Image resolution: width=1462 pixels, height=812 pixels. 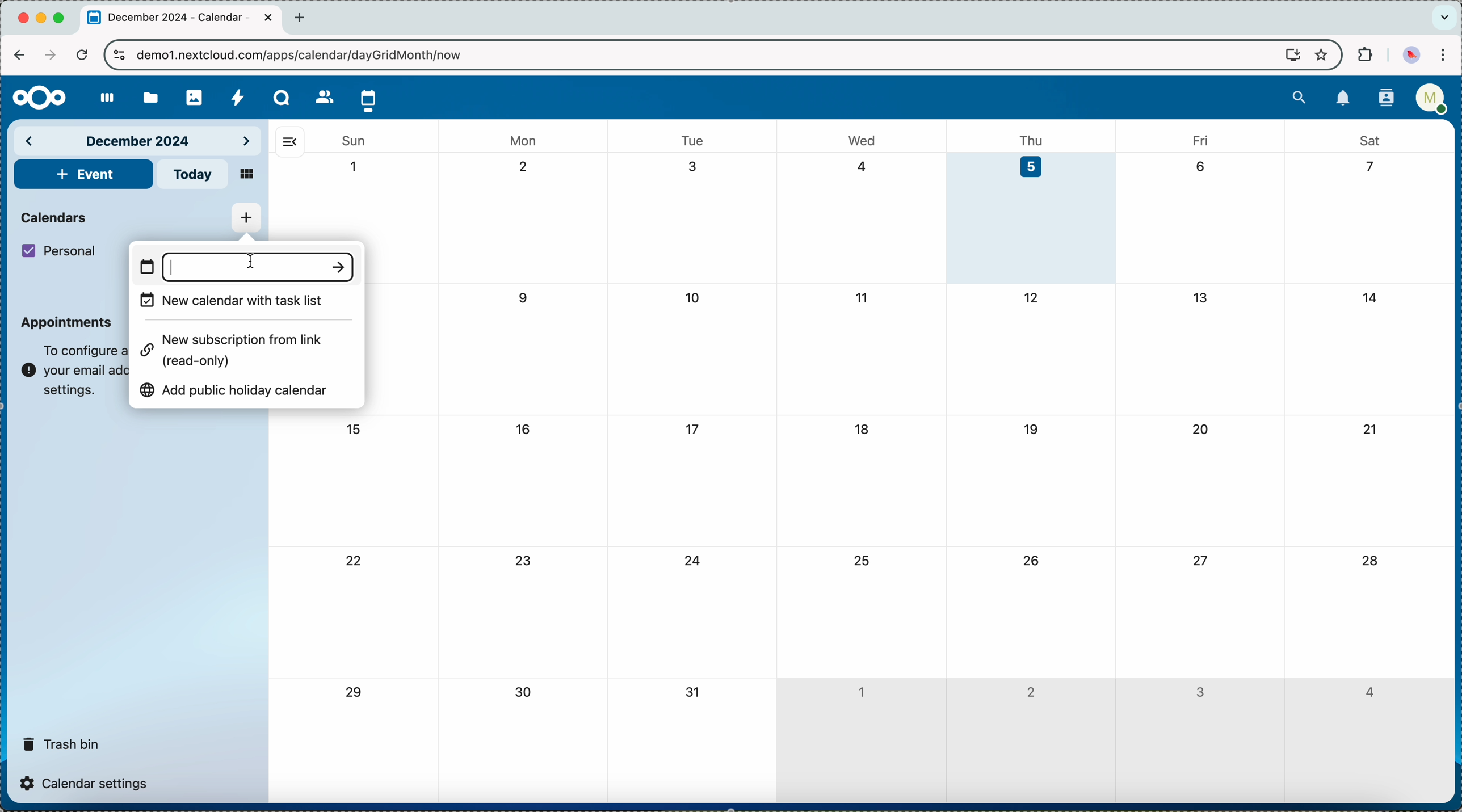 I want to click on 21, so click(x=1369, y=429).